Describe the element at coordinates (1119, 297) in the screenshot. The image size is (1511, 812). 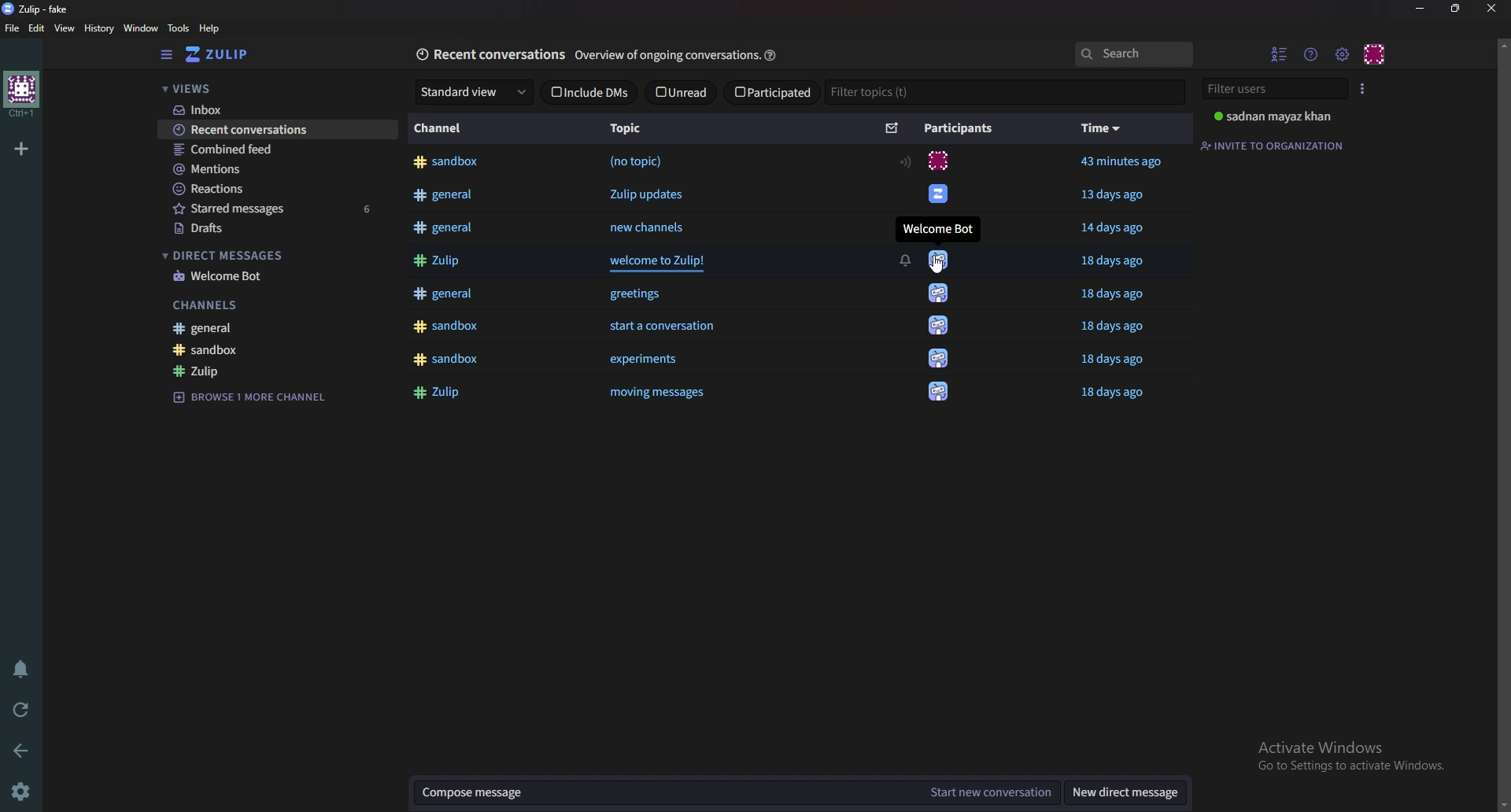
I see `18 days ago` at that location.